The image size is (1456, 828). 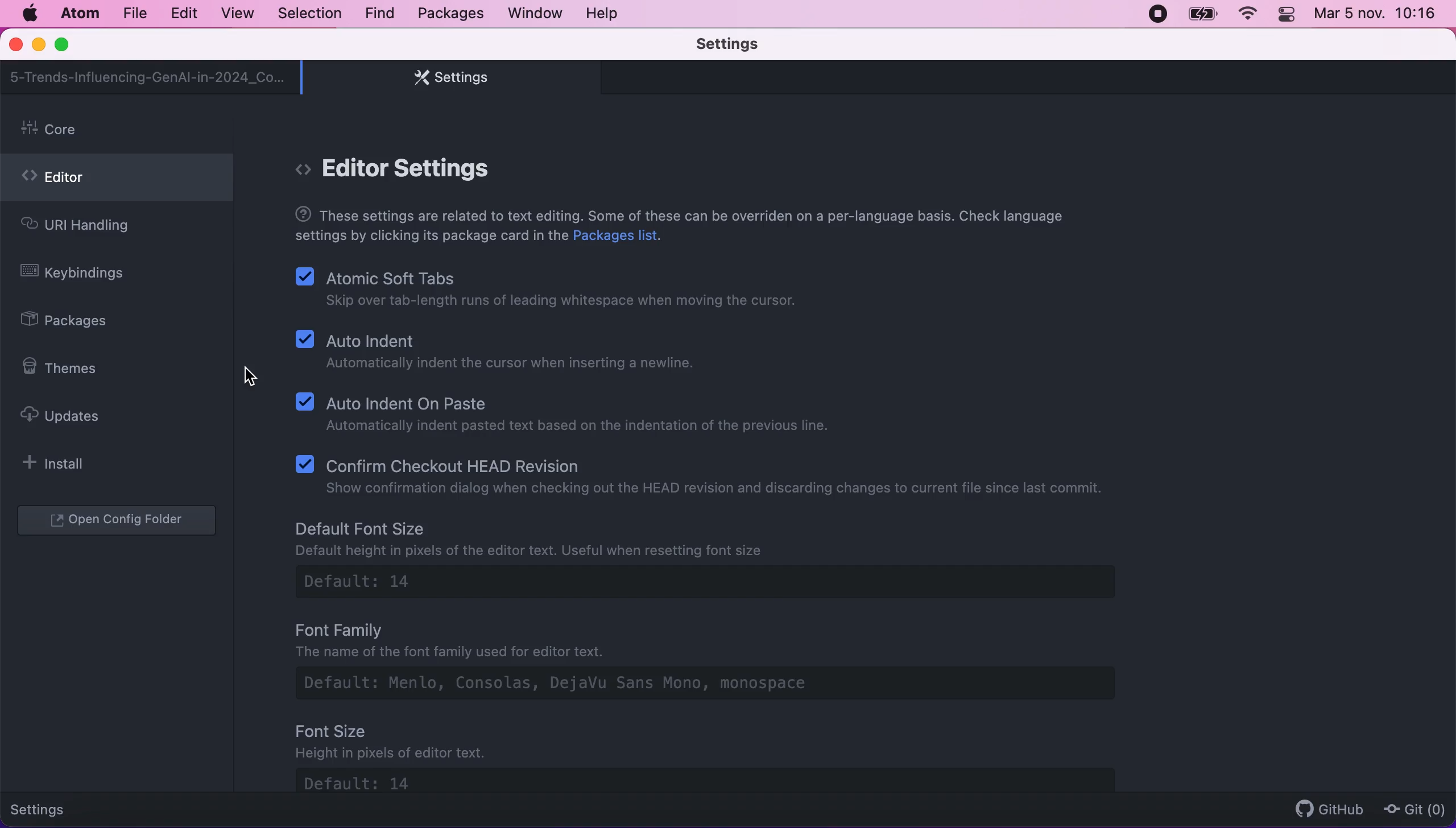 I want to click on URI handling, so click(x=96, y=228).